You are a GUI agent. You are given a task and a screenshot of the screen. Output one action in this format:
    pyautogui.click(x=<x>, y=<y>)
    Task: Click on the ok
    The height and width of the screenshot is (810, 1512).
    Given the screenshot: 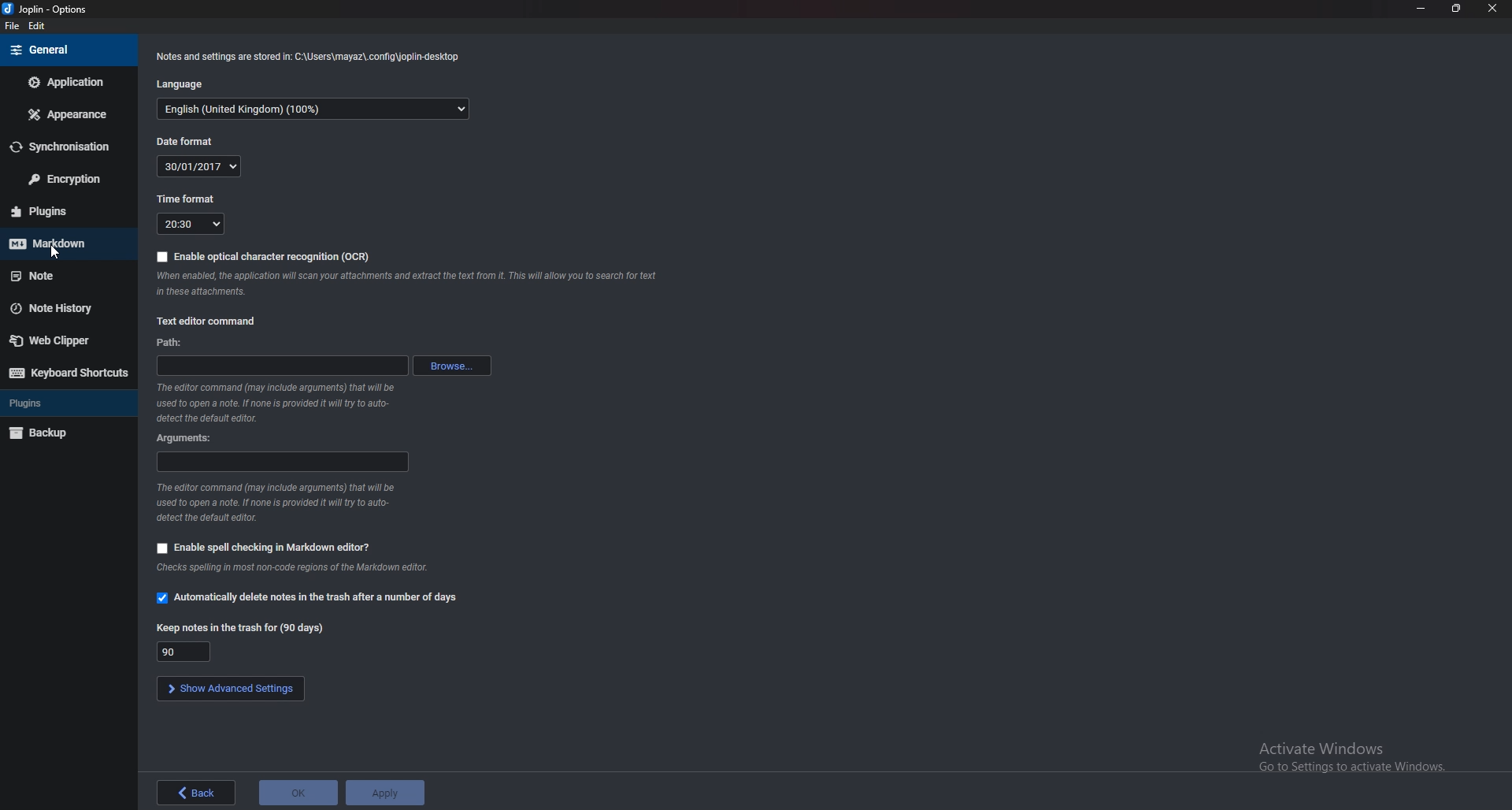 What is the action you would take?
    pyautogui.click(x=298, y=793)
    